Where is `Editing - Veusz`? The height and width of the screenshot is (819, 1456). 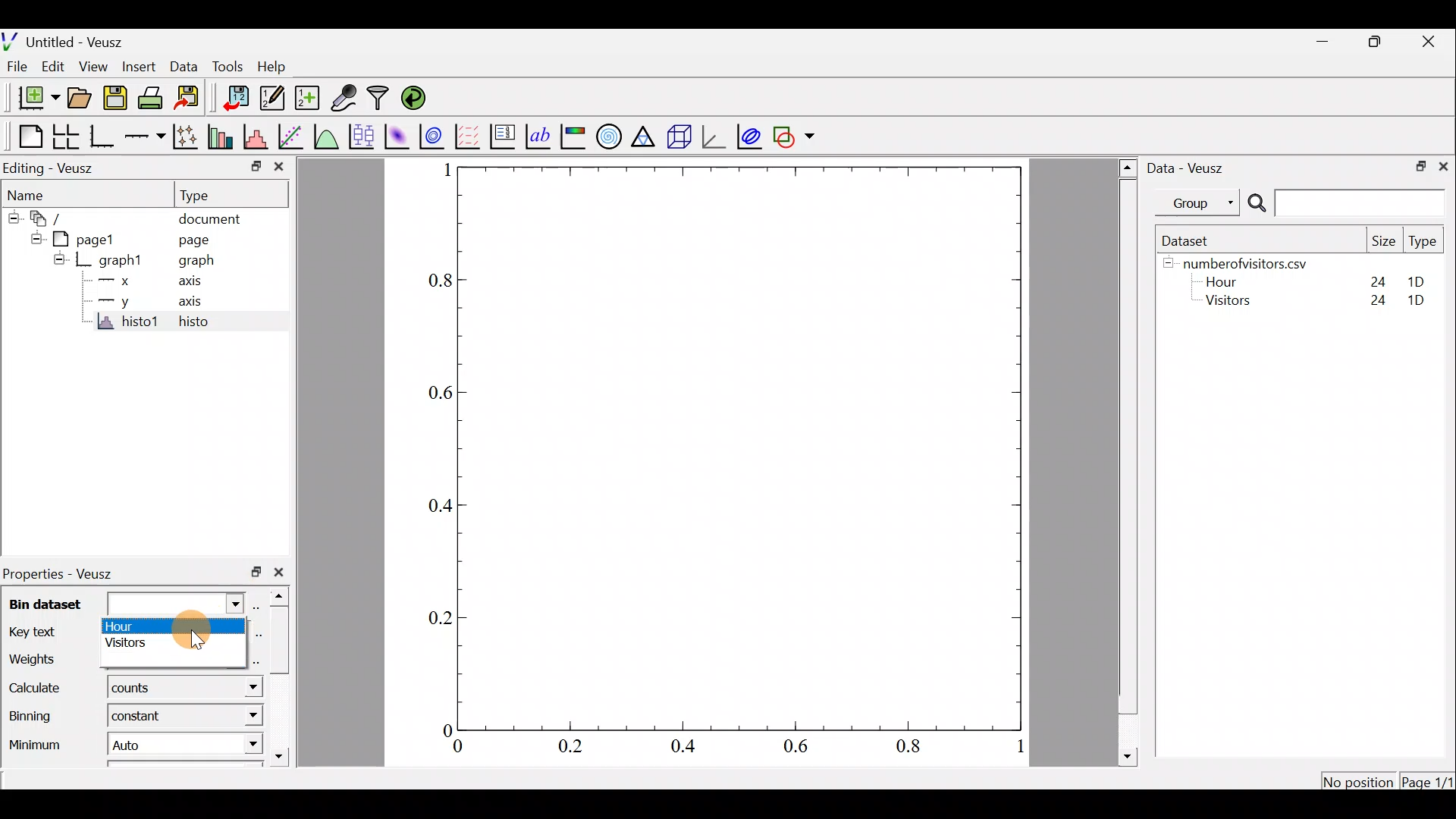 Editing - Veusz is located at coordinates (52, 168).